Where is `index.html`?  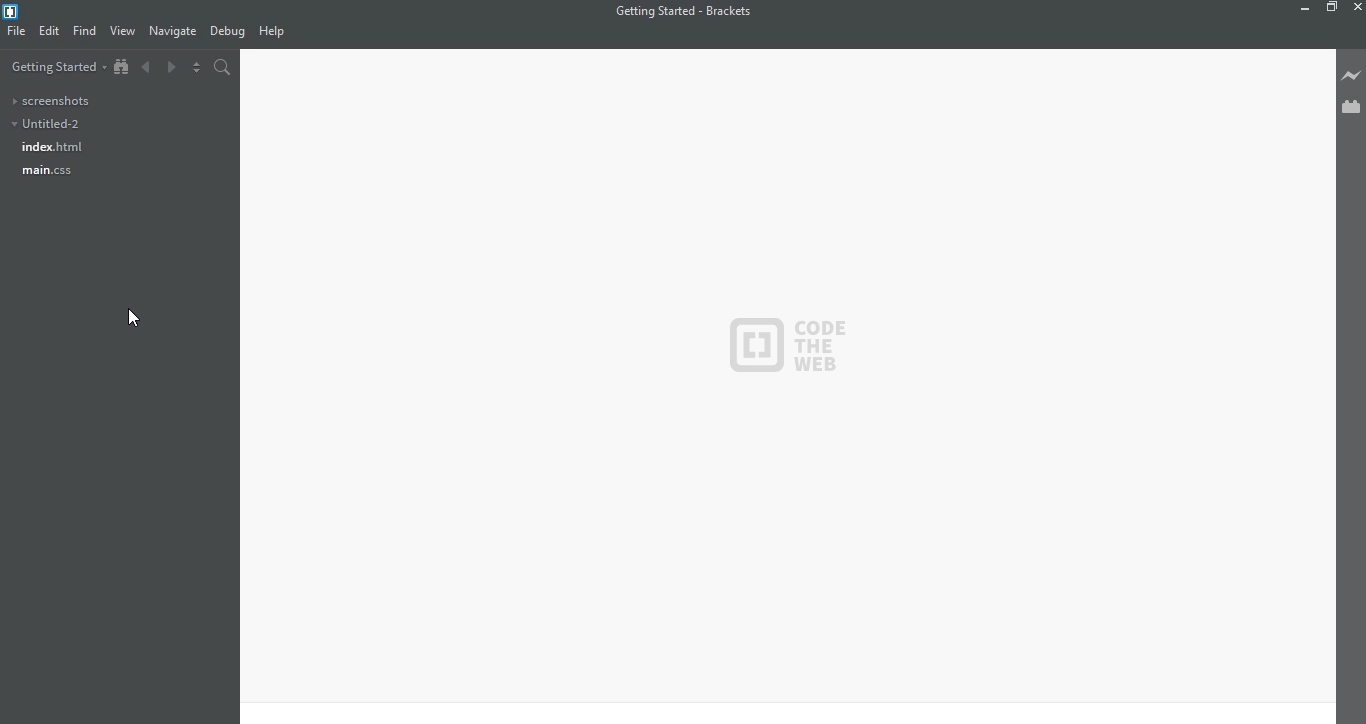 index.html is located at coordinates (59, 147).